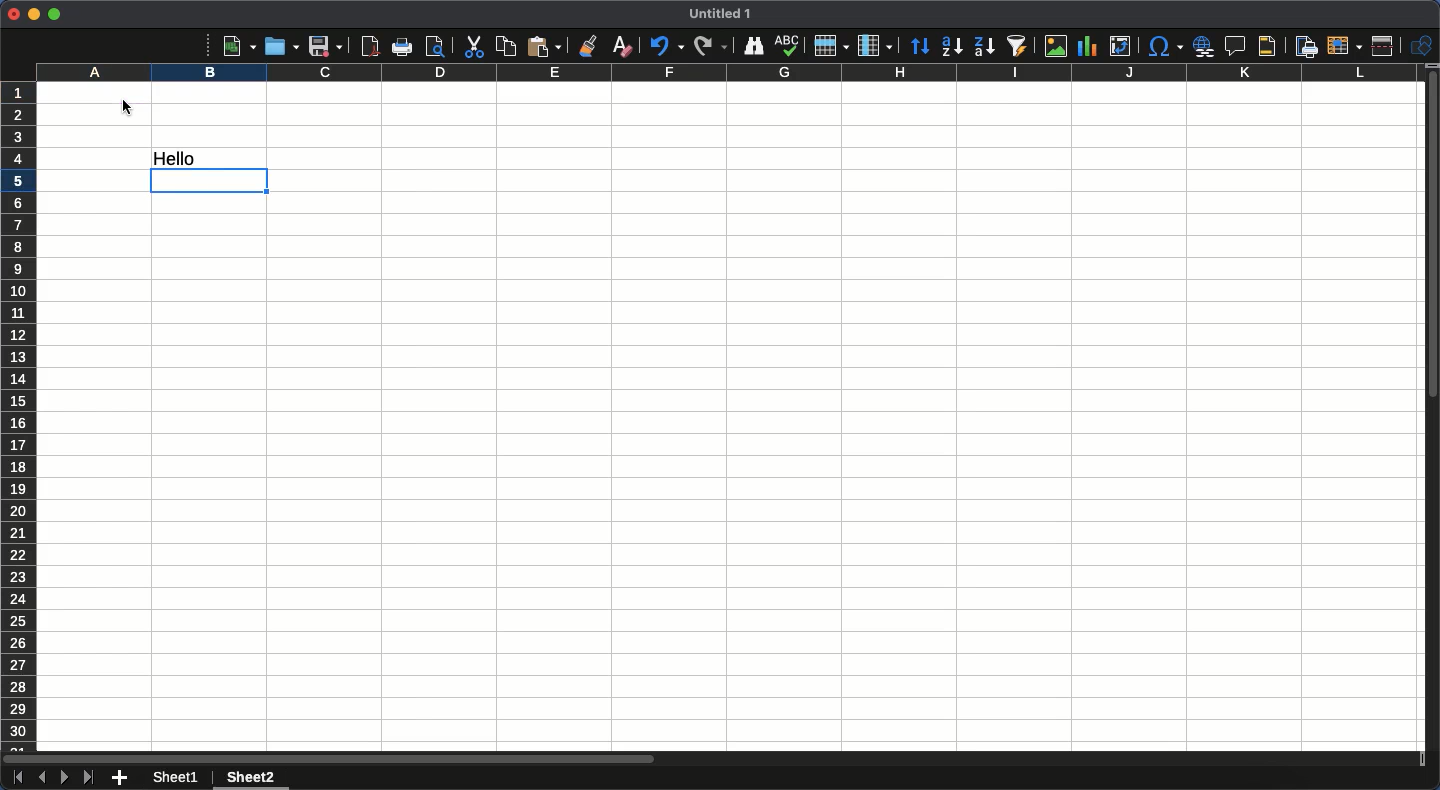 The height and width of the screenshot is (790, 1440). I want to click on Name, so click(723, 13).